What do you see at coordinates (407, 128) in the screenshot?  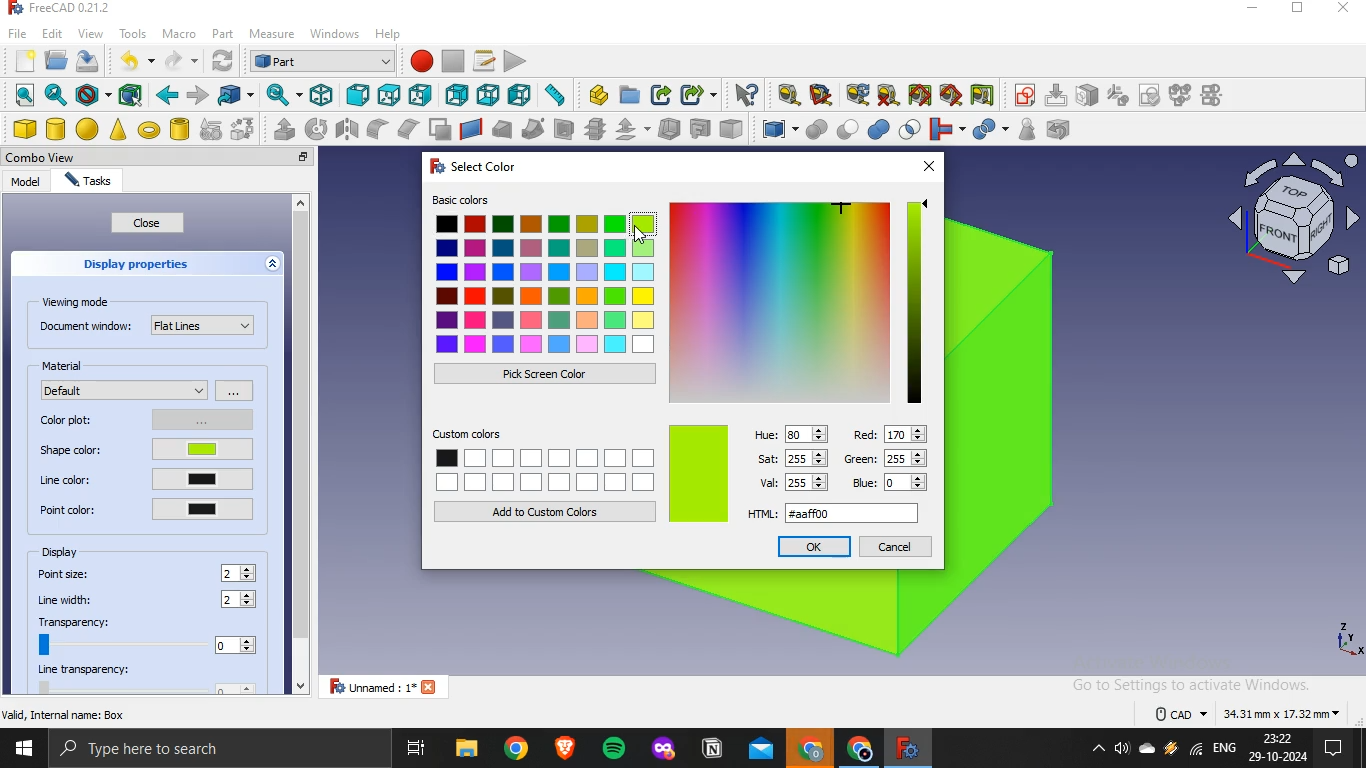 I see `chamfer` at bounding box center [407, 128].